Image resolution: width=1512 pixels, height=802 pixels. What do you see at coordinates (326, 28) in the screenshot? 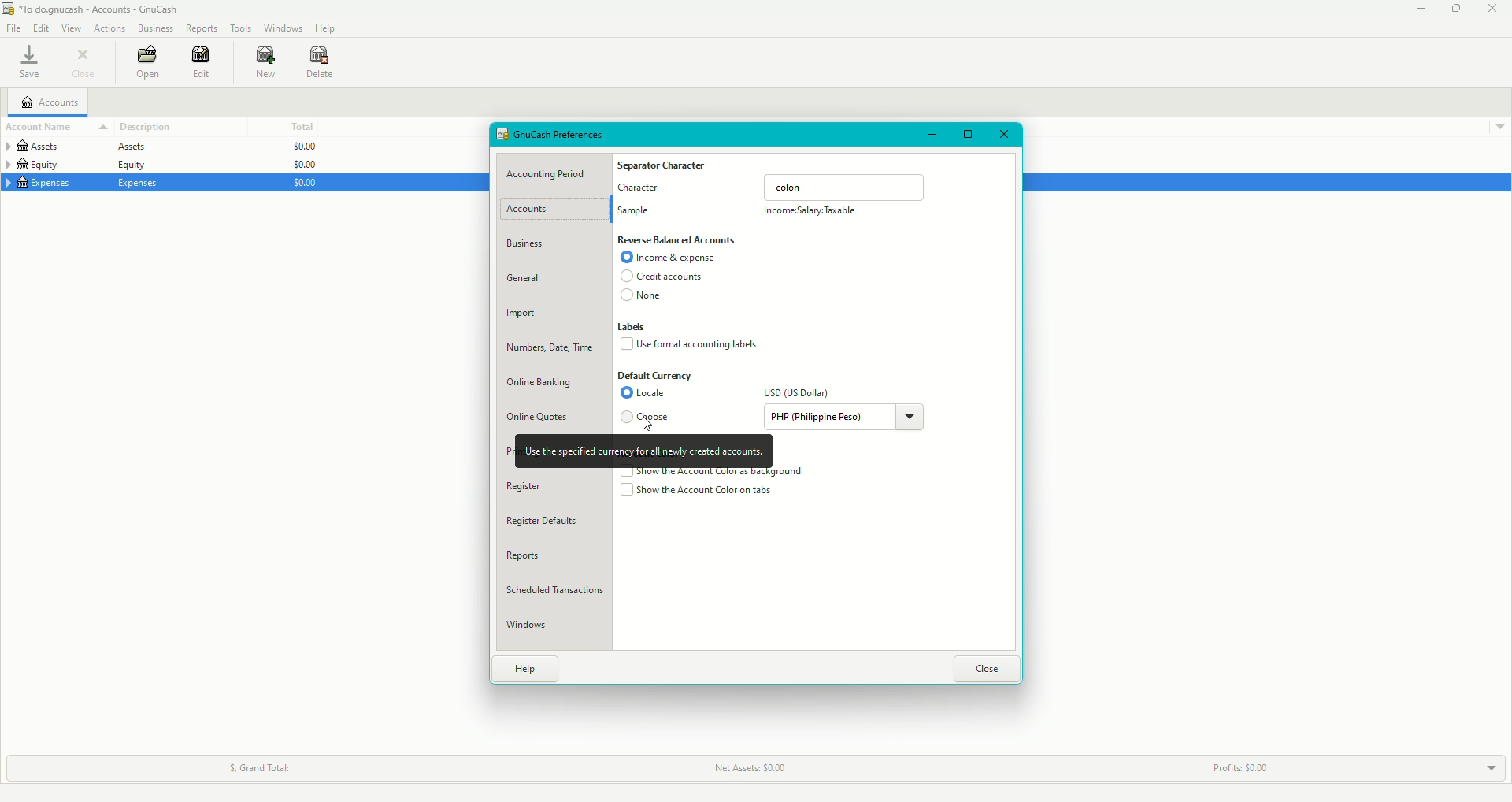
I see `Help` at bounding box center [326, 28].